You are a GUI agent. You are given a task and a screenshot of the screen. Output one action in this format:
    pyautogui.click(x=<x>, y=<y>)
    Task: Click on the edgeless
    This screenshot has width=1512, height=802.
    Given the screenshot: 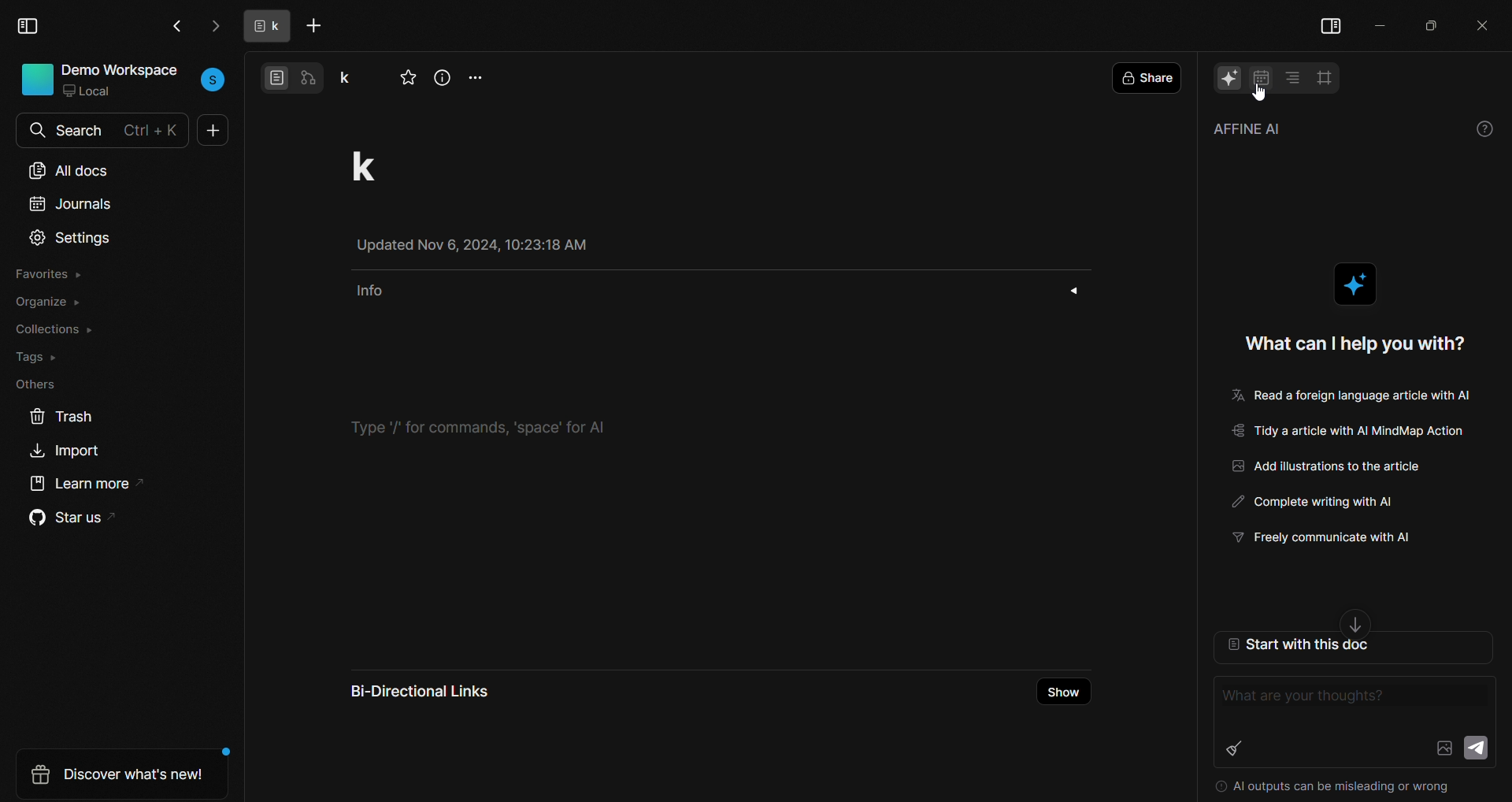 What is the action you would take?
    pyautogui.click(x=313, y=76)
    